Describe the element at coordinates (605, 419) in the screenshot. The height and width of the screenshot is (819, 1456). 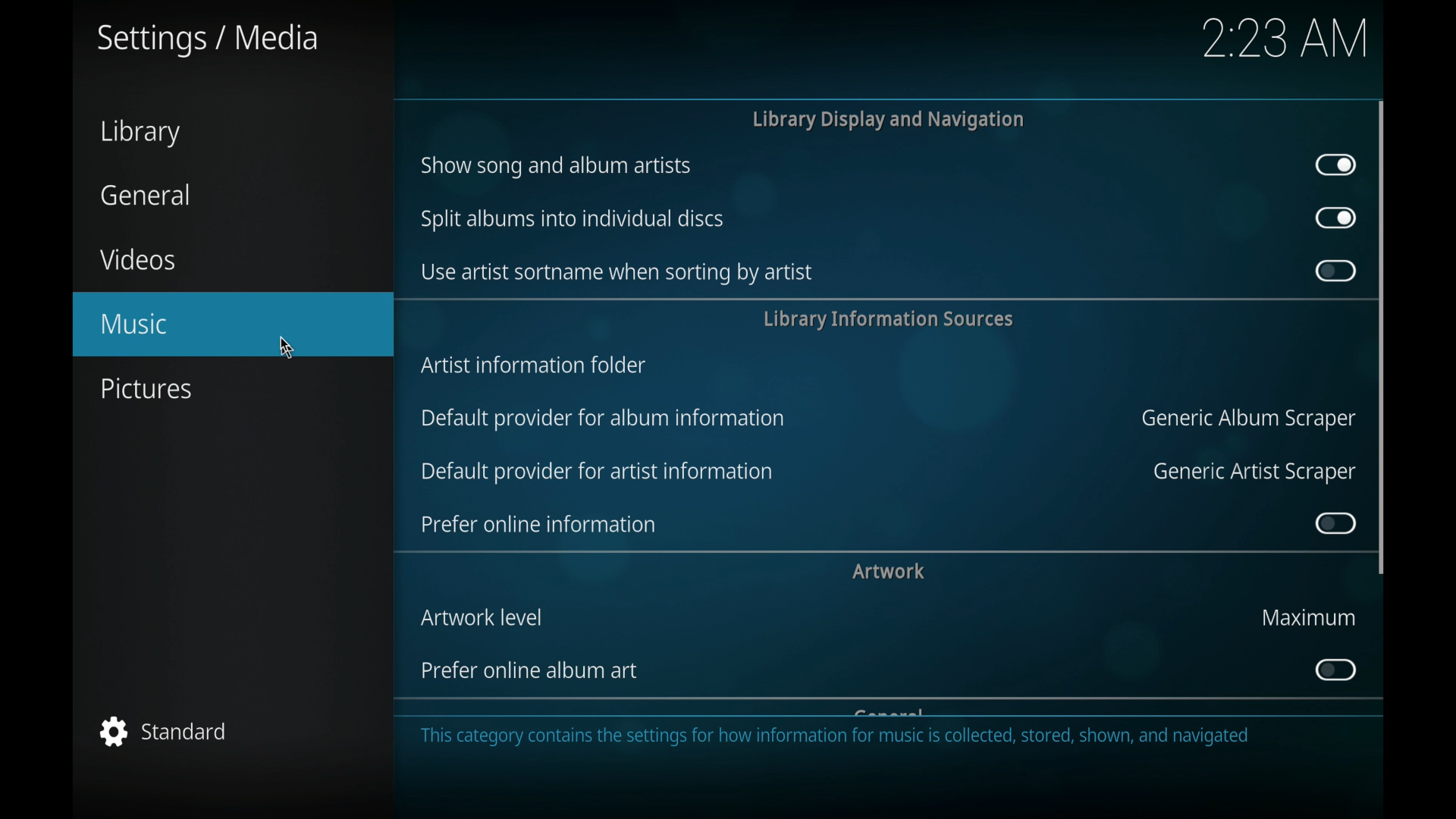
I see `default provider for album information` at that location.